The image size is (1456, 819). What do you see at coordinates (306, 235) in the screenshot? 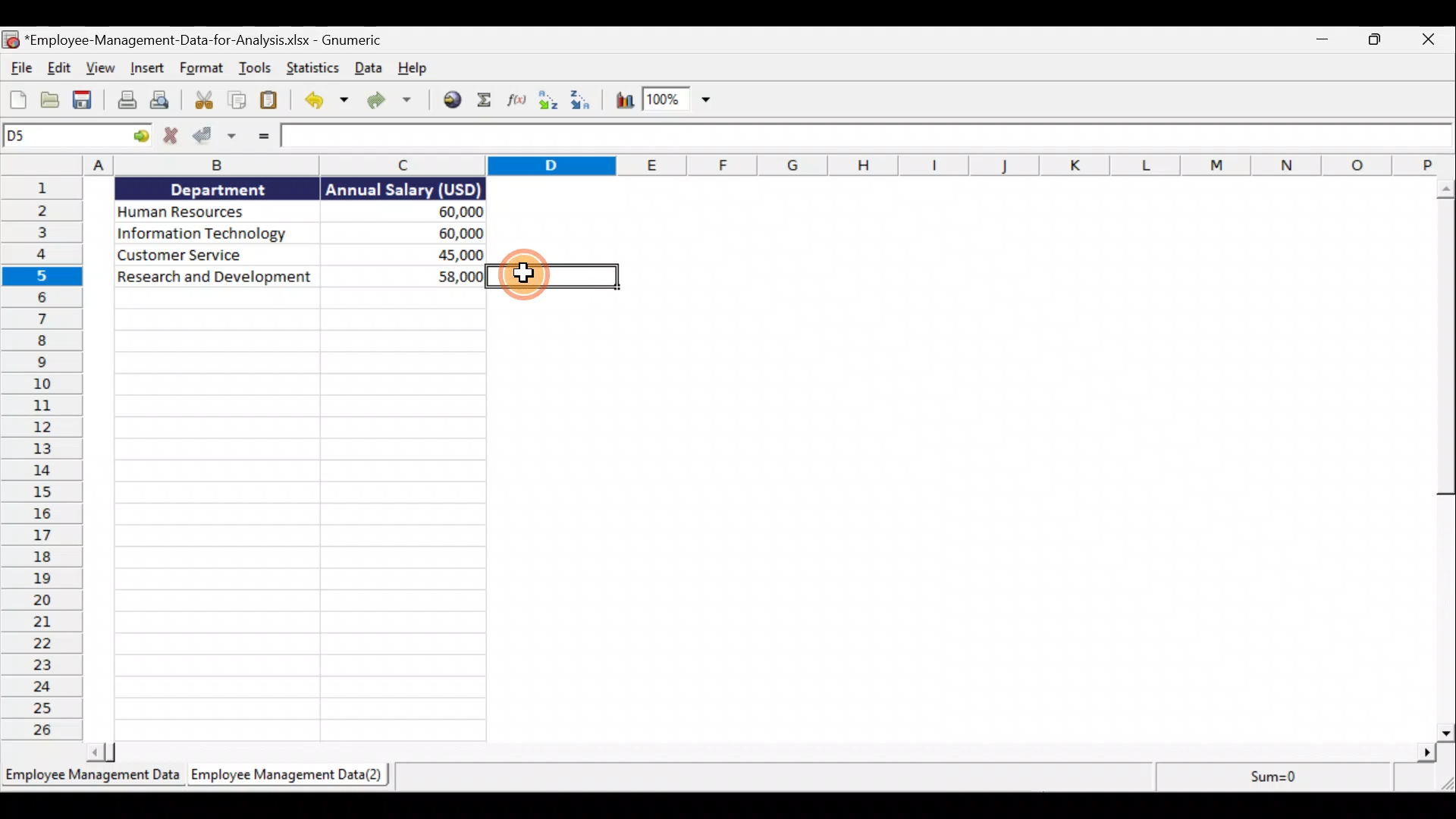
I see `Data` at bounding box center [306, 235].